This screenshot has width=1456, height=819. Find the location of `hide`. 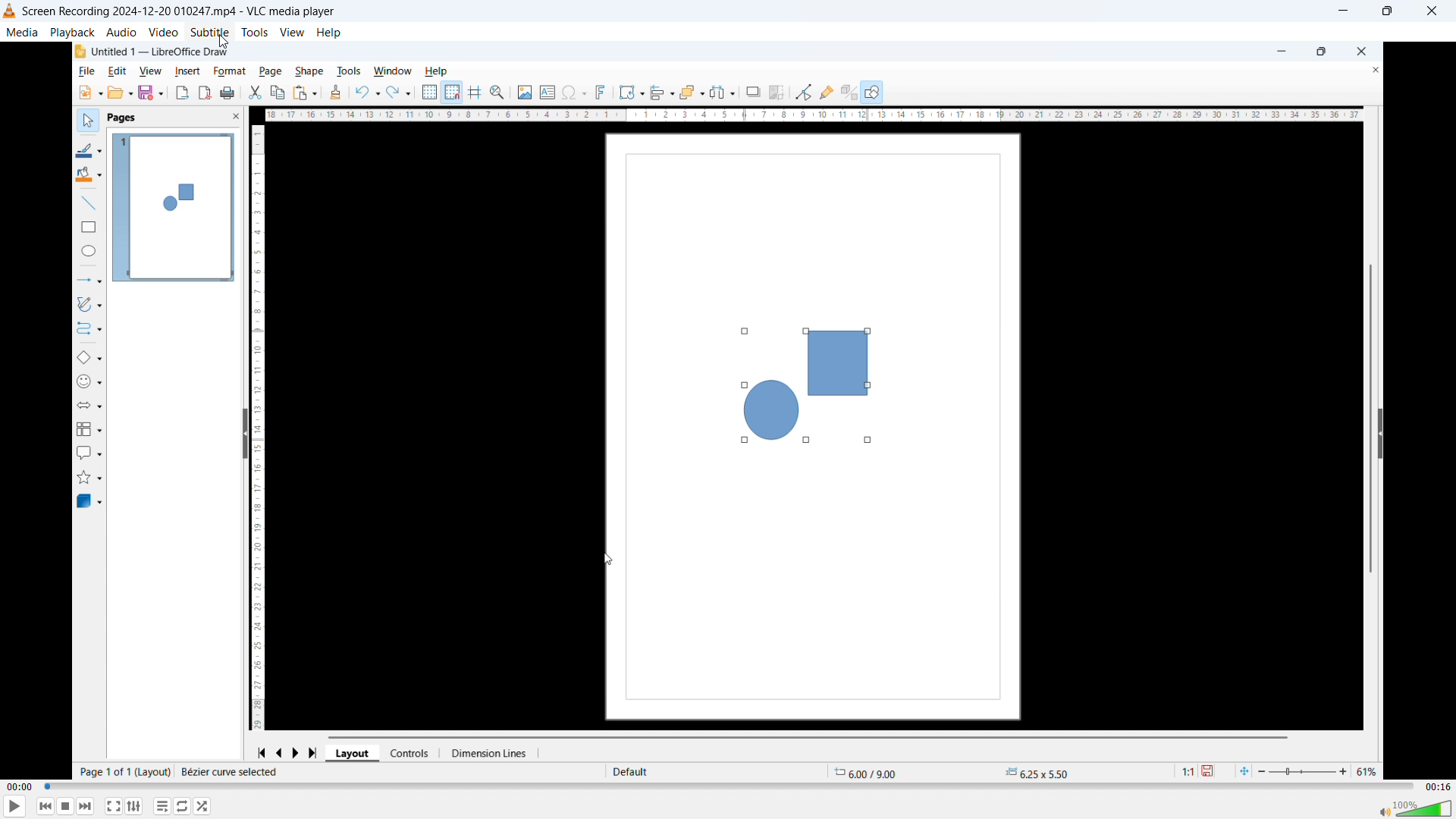

hide is located at coordinates (243, 435).